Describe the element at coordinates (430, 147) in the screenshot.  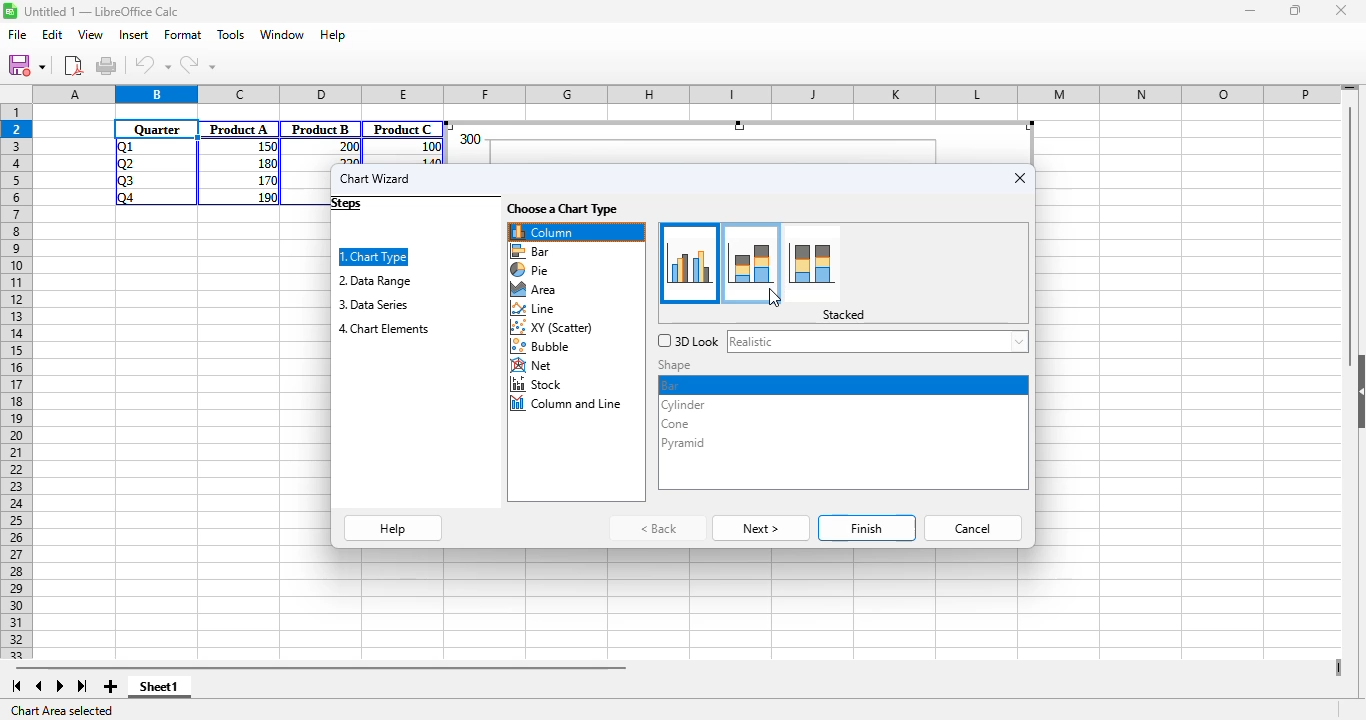
I see `100` at that location.